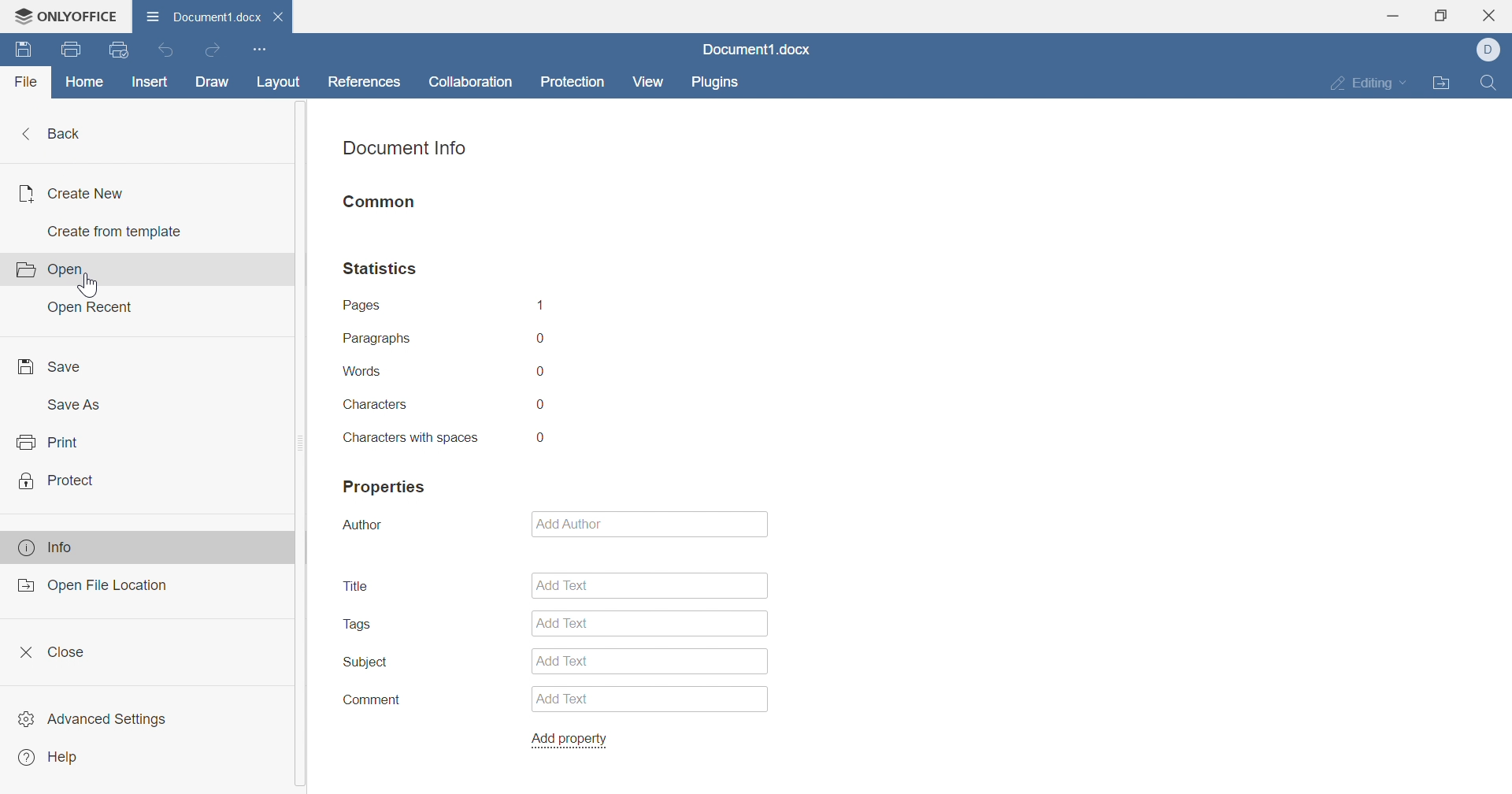 The width and height of the screenshot is (1512, 794). What do you see at coordinates (360, 306) in the screenshot?
I see `pages` at bounding box center [360, 306].